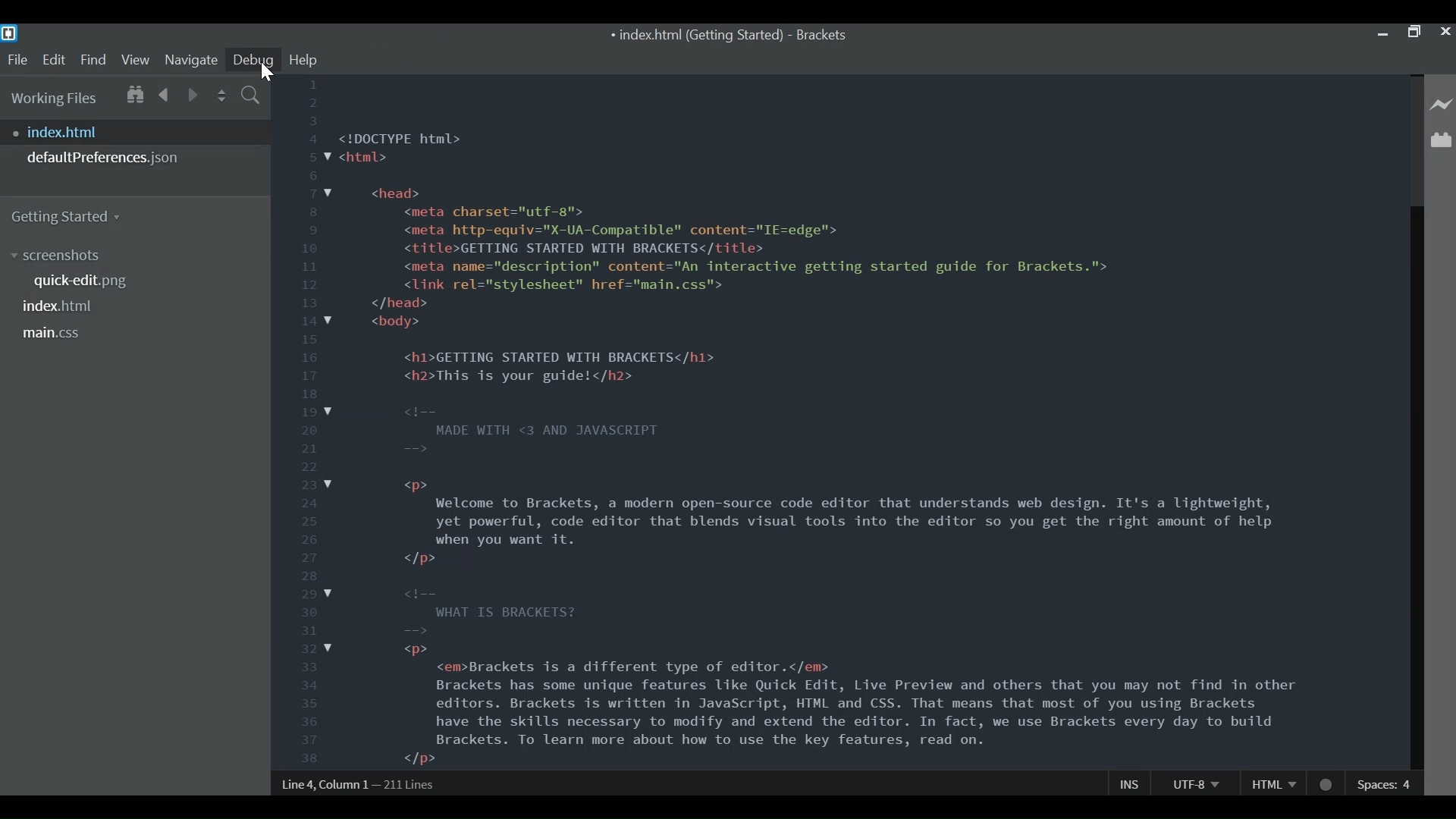  Describe the element at coordinates (267, 72) in the screenshot. I see `Cursor on Debug` at that location.